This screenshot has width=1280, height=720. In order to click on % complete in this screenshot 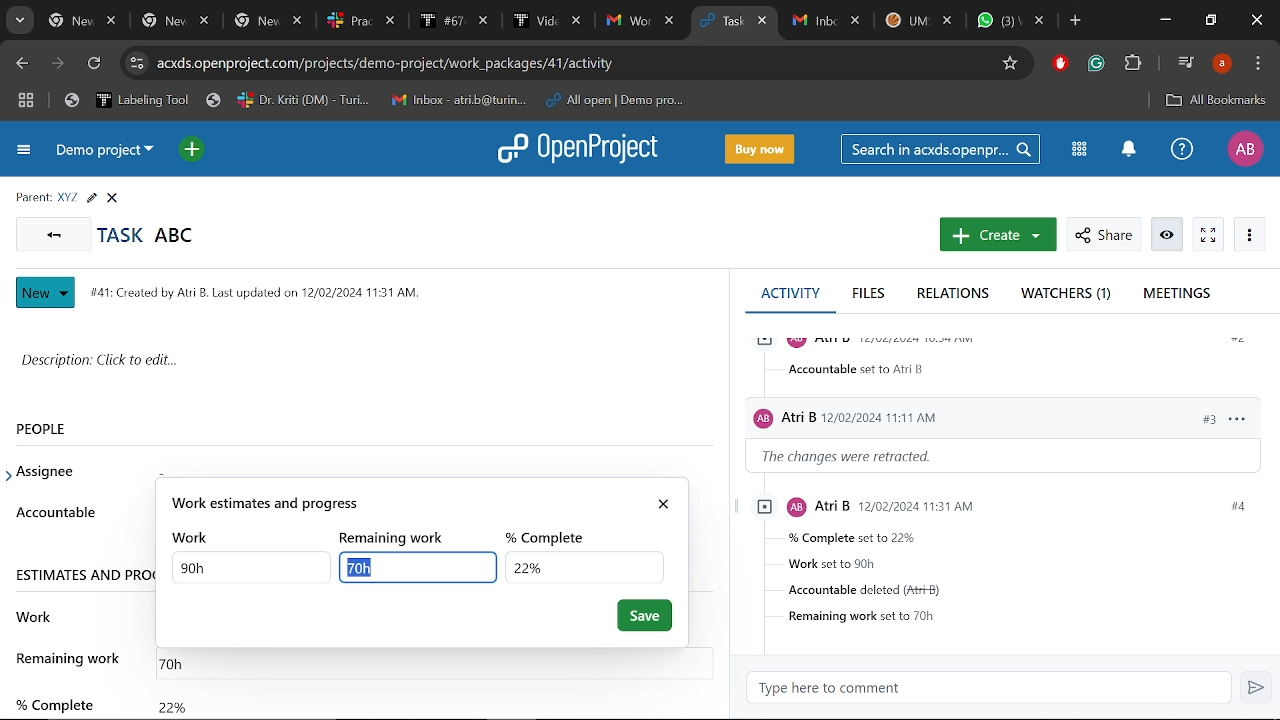, I will do `click(53, 696)`.